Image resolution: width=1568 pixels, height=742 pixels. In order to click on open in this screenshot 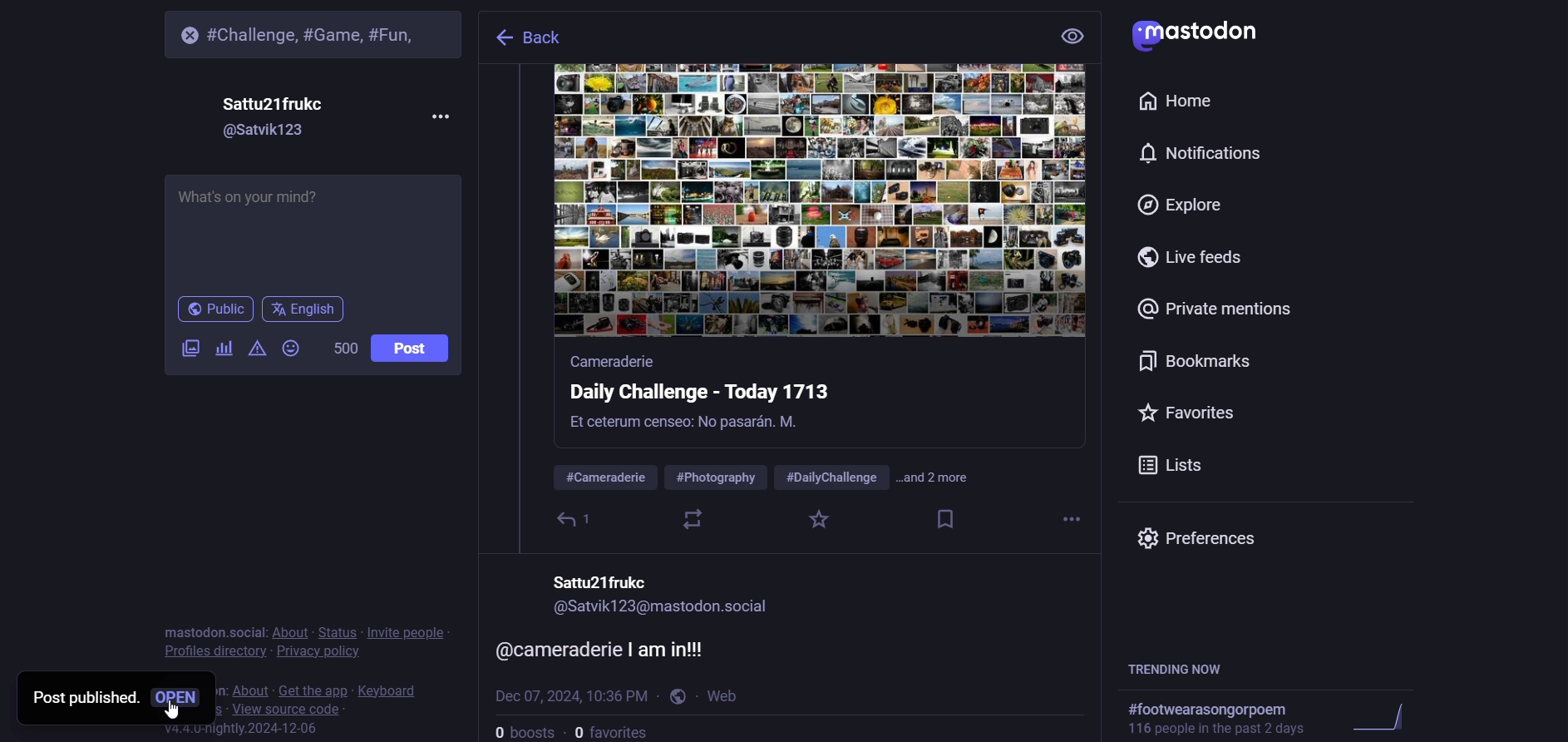, I will do `click(179, 695)`.